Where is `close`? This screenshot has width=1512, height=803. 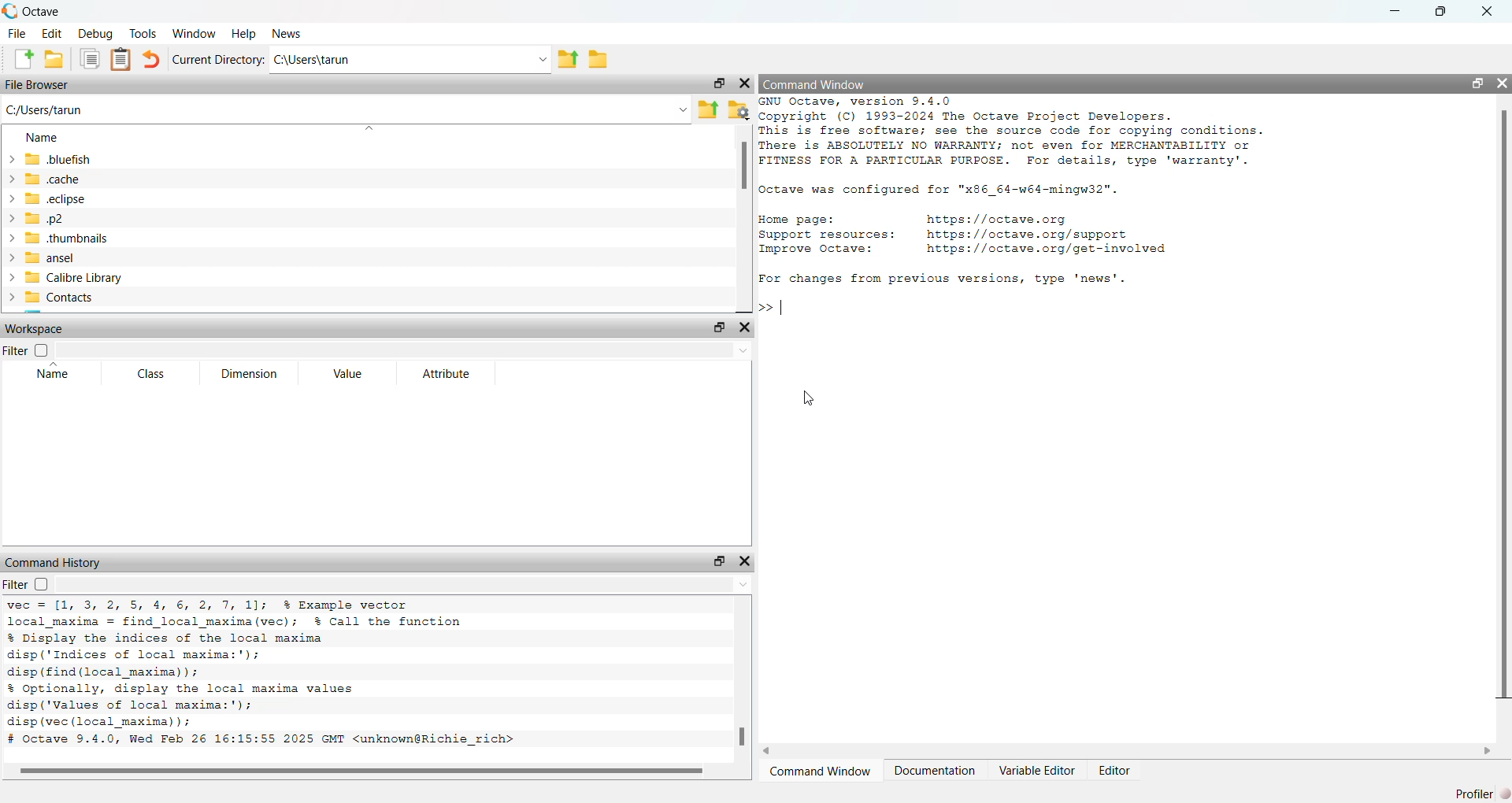 close is located at coordinates (1485, 12).